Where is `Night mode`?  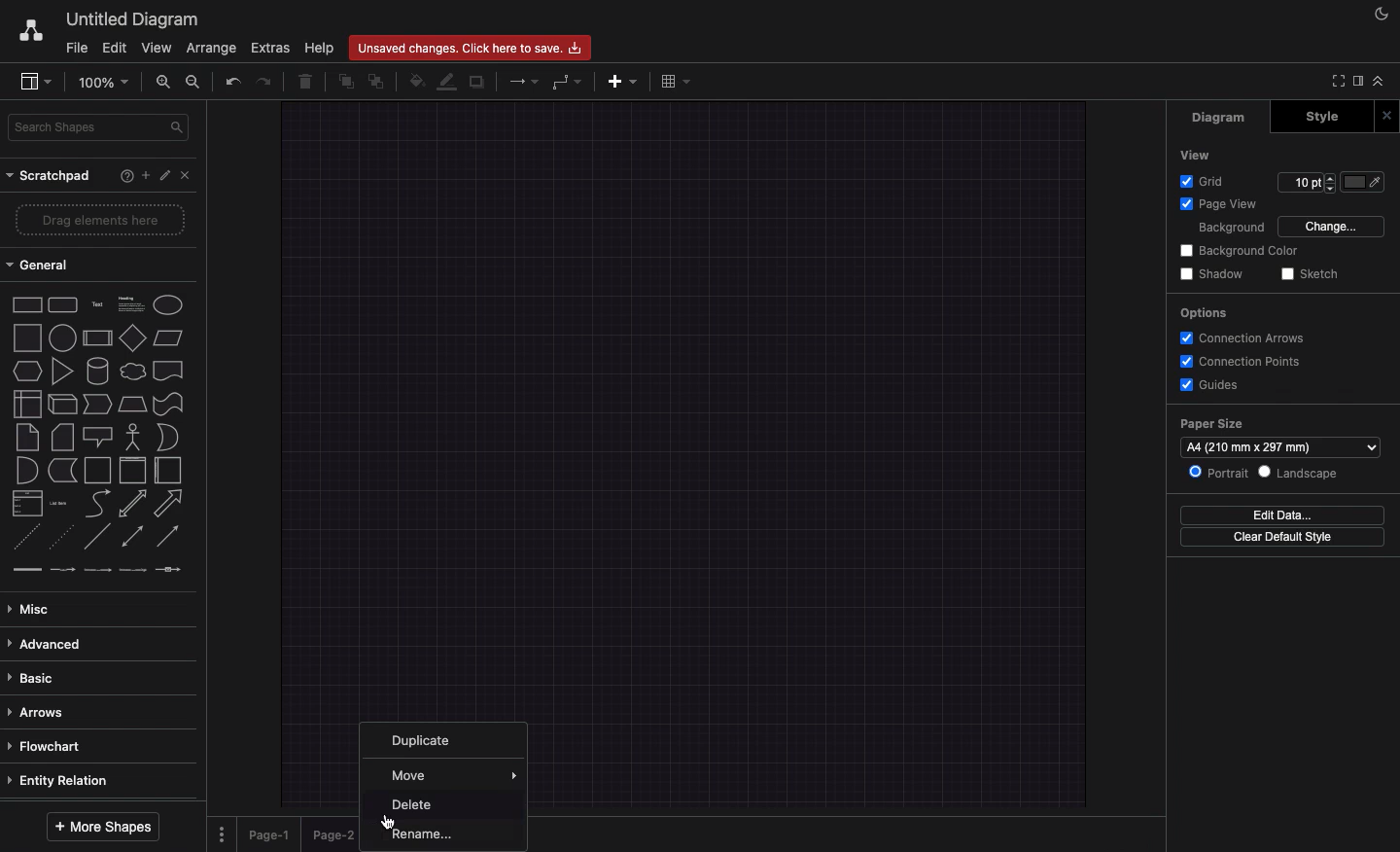
Night mode is located at coordinates (1378, 15).